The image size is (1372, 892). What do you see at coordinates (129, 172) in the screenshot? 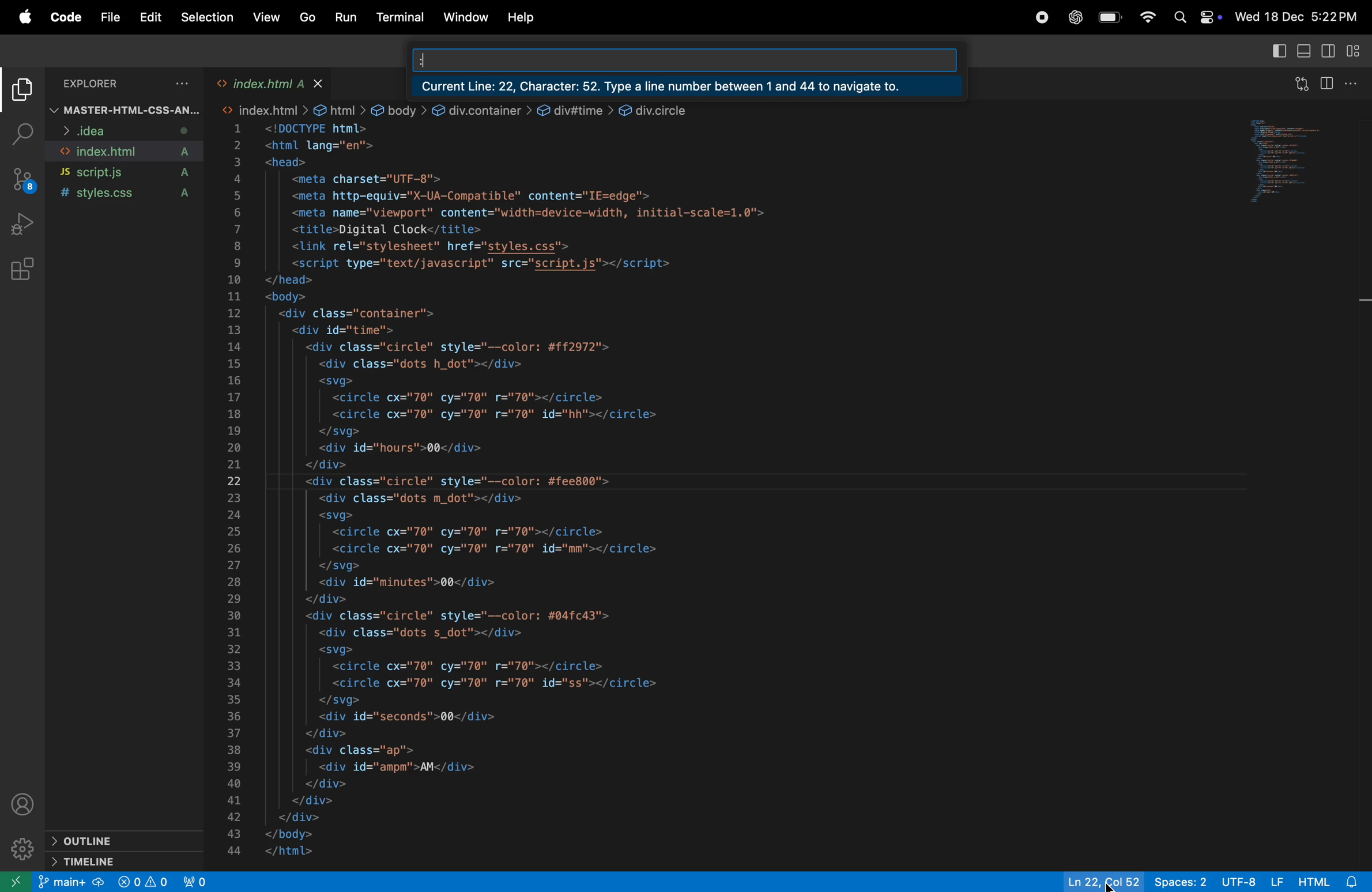
I see `script .js` at bounding box center [129, 172].